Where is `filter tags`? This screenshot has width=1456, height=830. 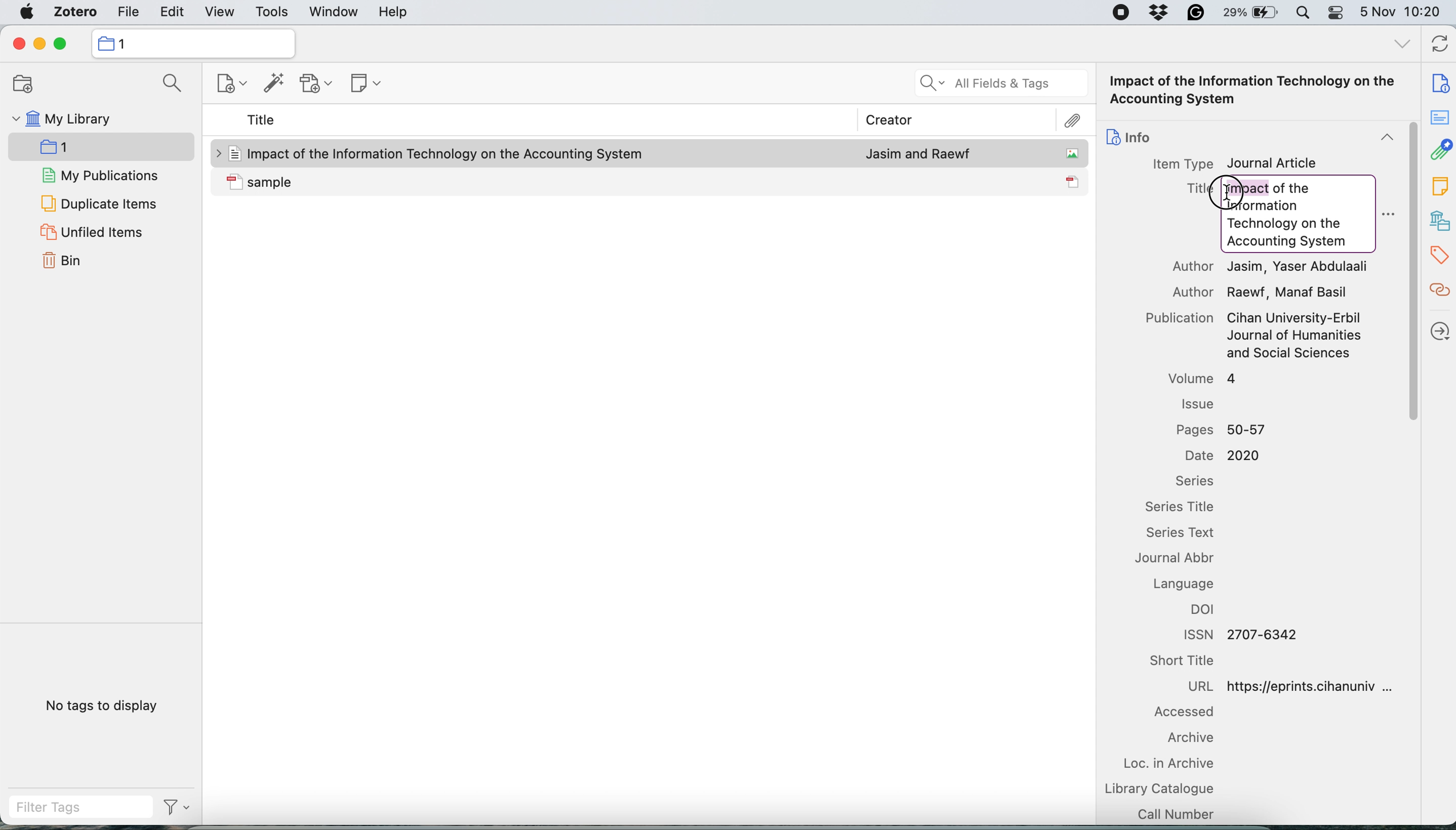
filter tags is located at coordinates (175, 807).